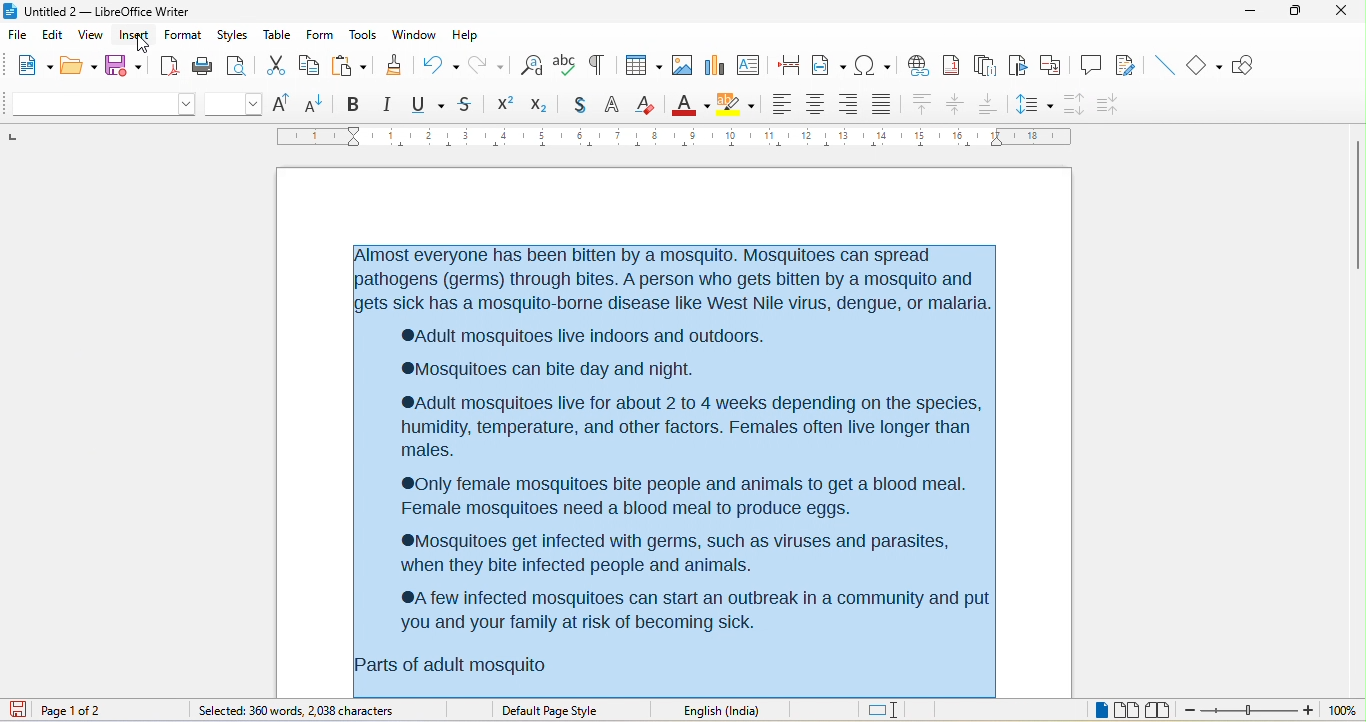 This screenshot has width=1366, height=722. I want to click on 360 words,2038 characters, so click(296, 711).